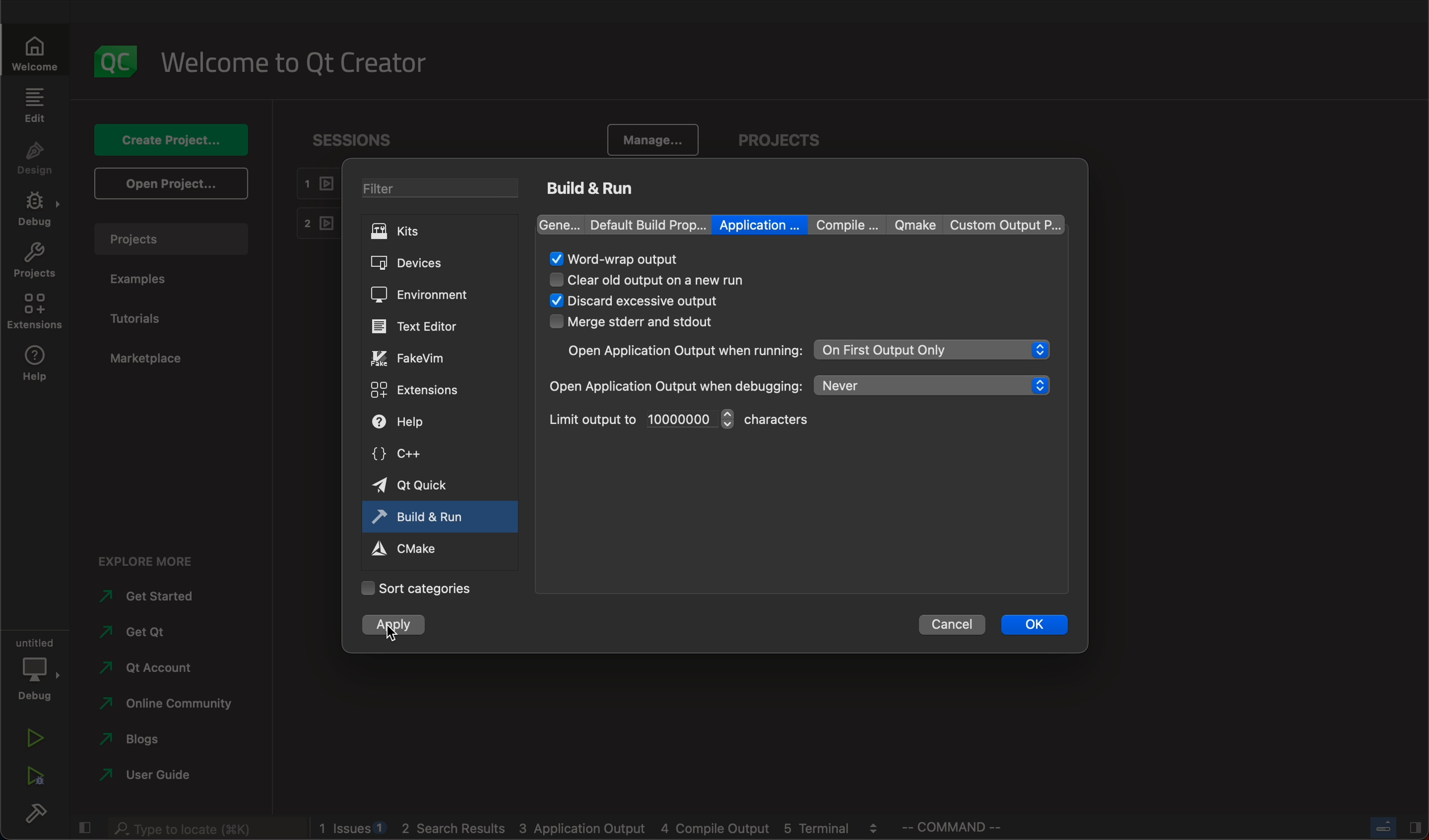  What do you see at coordinates (30, 366) in the screenshot?
I see `help` at bounding box center [30, 366].